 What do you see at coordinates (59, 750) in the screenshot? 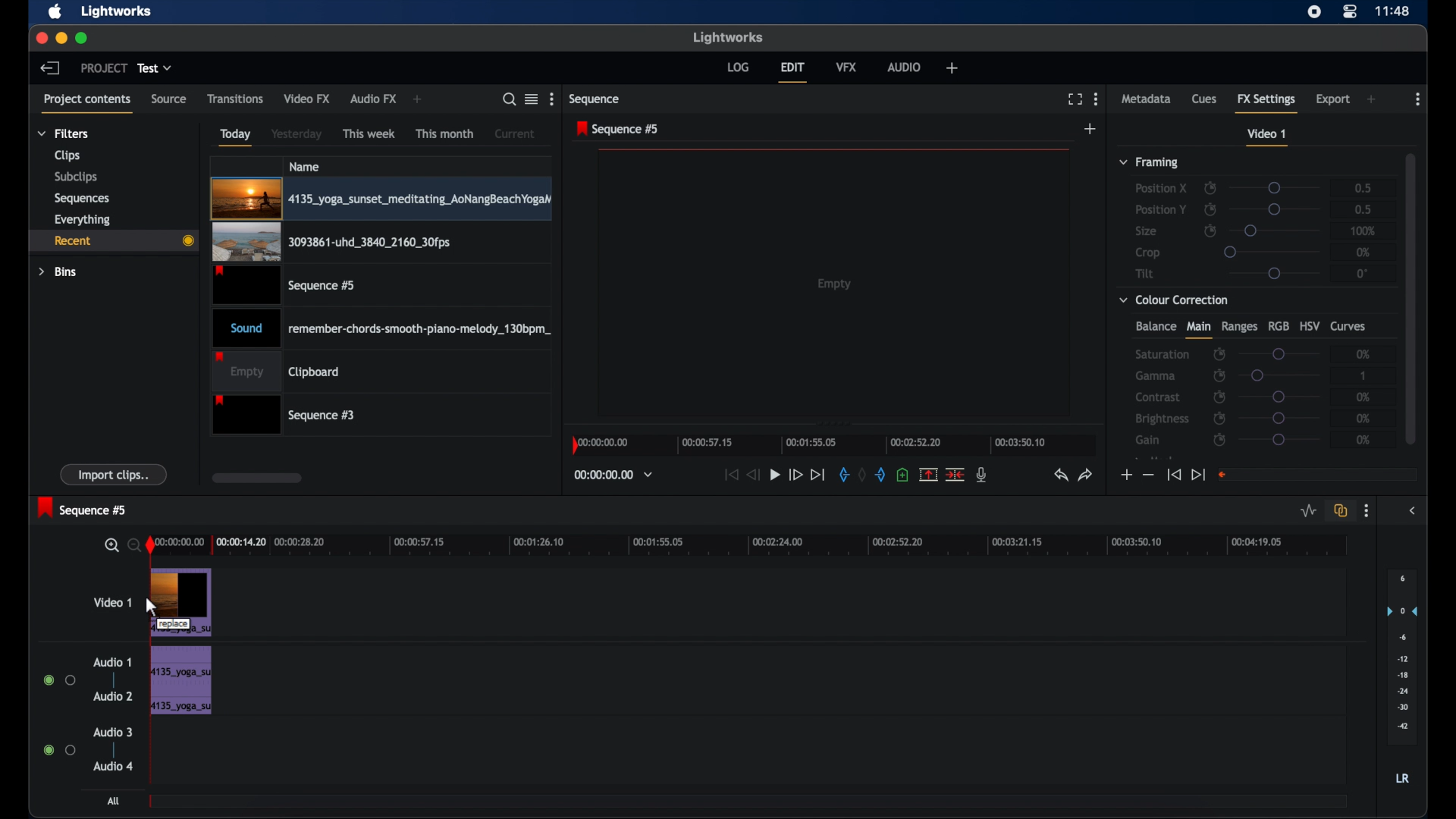
I see `radio buttons` at bounding box center [59, 750].